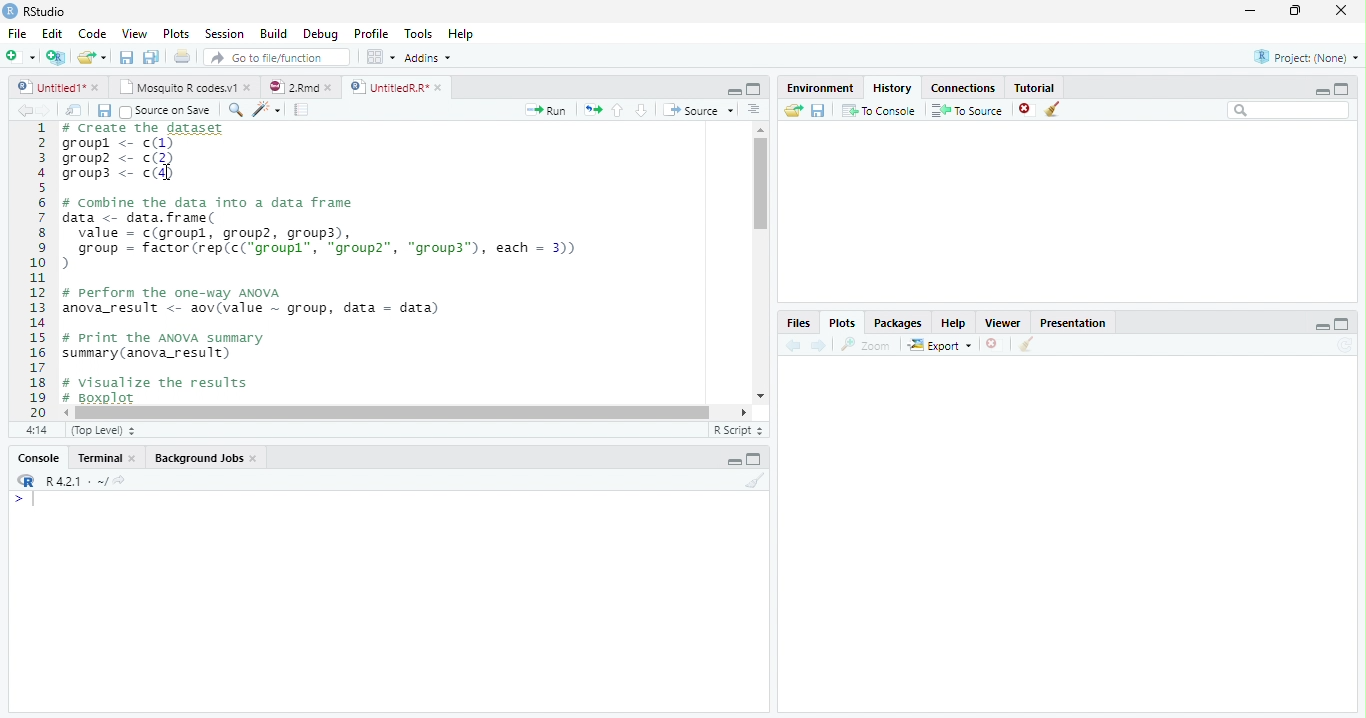 Image resolution: width=1366 pixels, height=718 pixels. What do you see at coordinates (1036, 86) in the screenshot?
I see `Tutorial` at bounding box center [1036, 86].